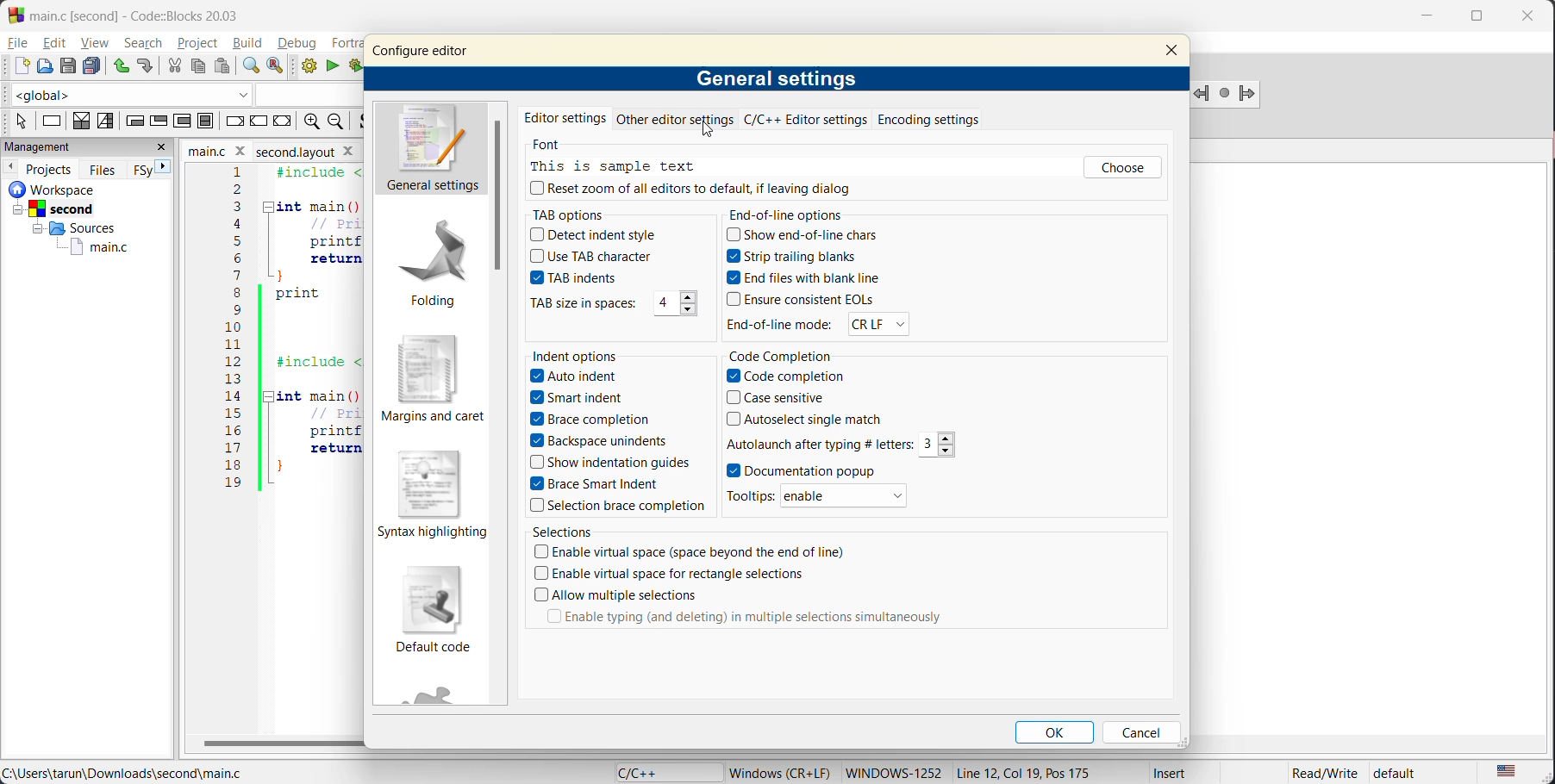 This screenshot has width=1555, height=784. Describe the element at coordinates (1172, 773) in the screenshot. I see `Insert` at that location.